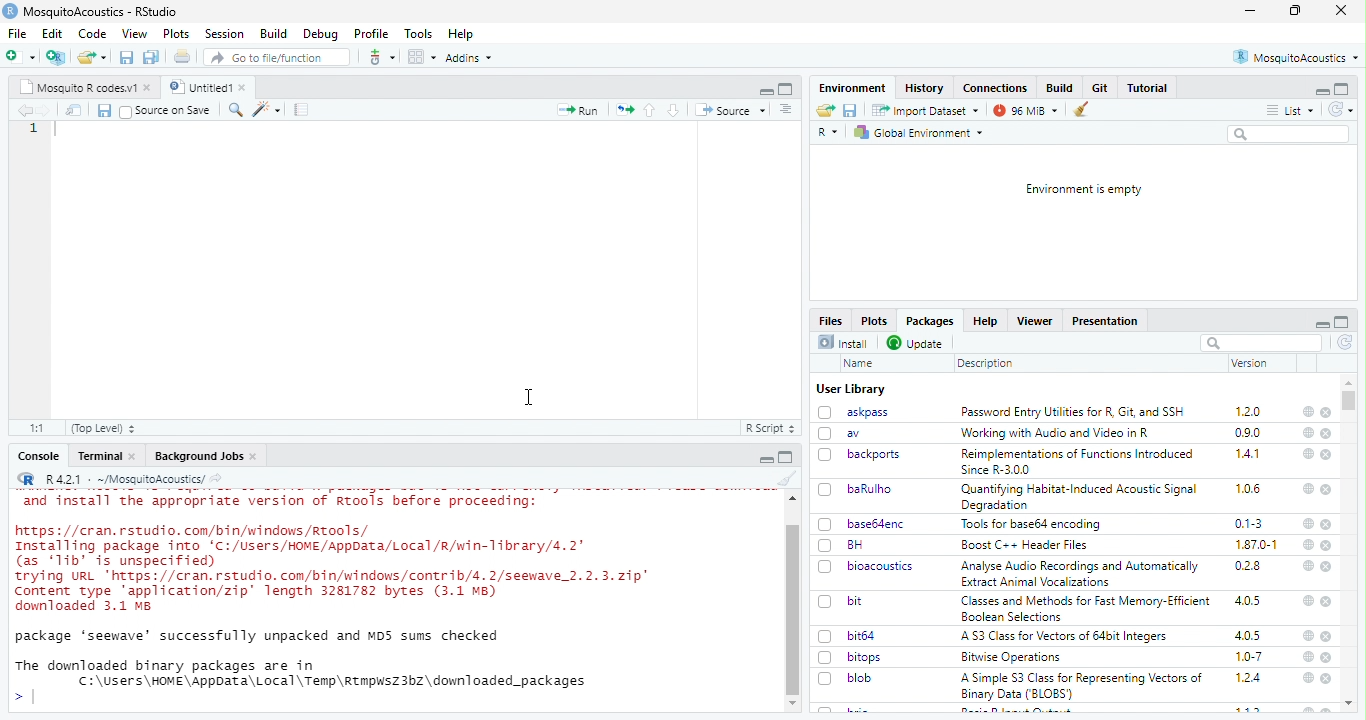  What do you see at coordinates (198, 457) in the screenshot?
I see `Background Jobs` at bounding box center [198, 457].